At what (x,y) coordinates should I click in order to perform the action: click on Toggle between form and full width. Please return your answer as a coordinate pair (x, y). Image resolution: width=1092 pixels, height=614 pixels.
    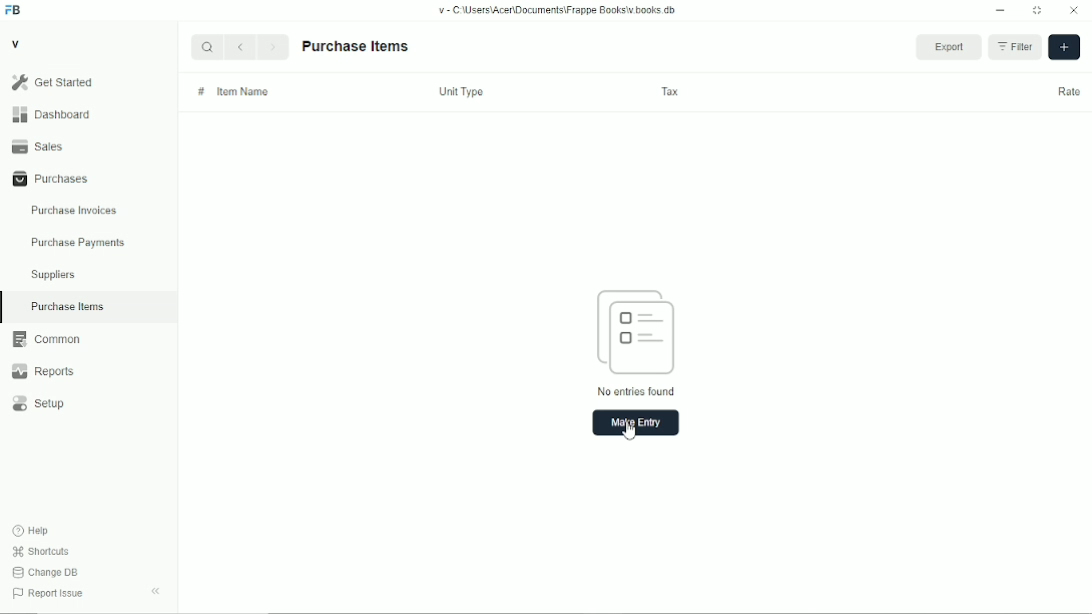
    Looking at the image, I should click on (1038, 11).